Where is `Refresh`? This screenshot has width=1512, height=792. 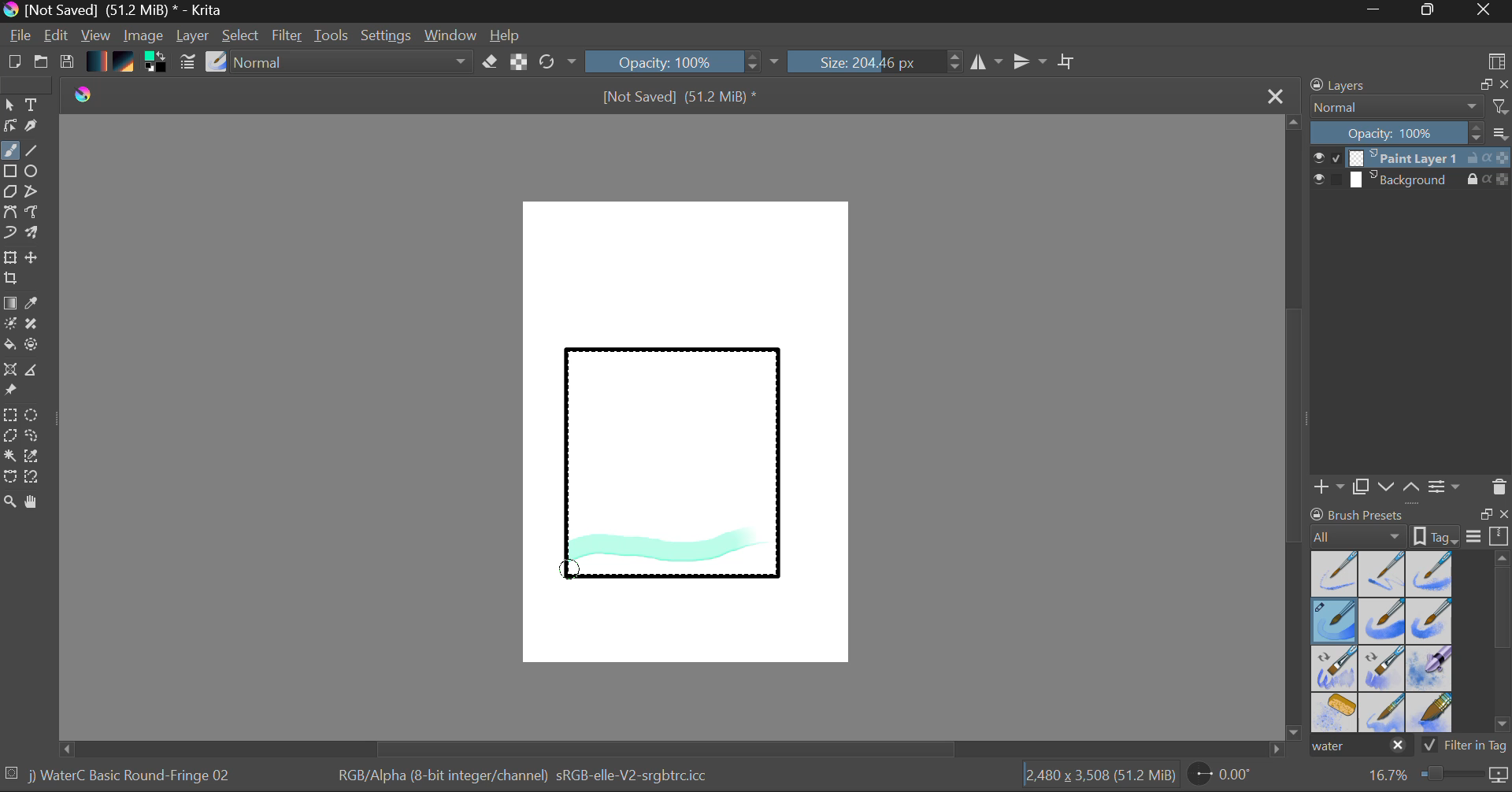
Refresh is located at coordinates (558, 61).